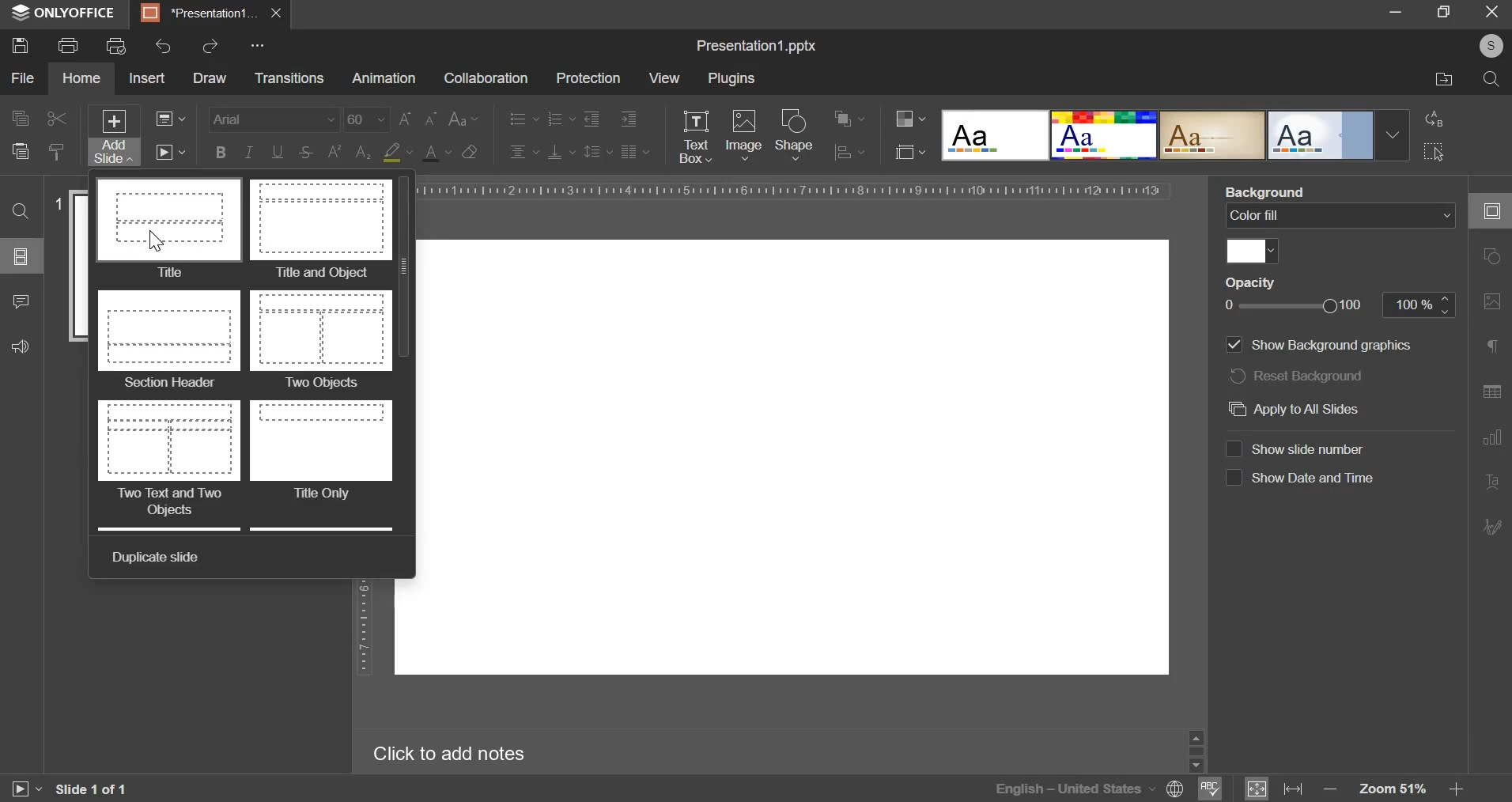 Image resolution: width=1512 pixels, height=802 pixels. Describe the element at coordinates (19, 255) in the screenshot. I see `slide menu` at that location.